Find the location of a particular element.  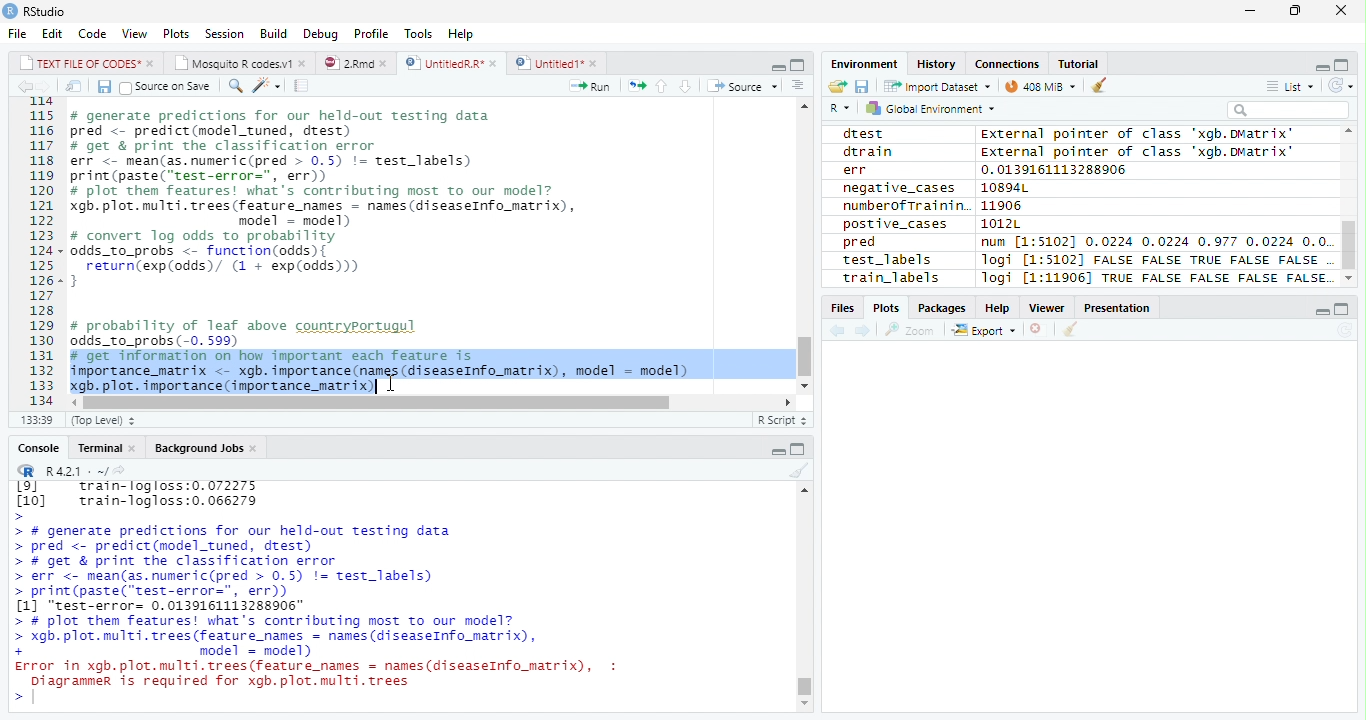

Import dataset is located at coordinates (936, 85).